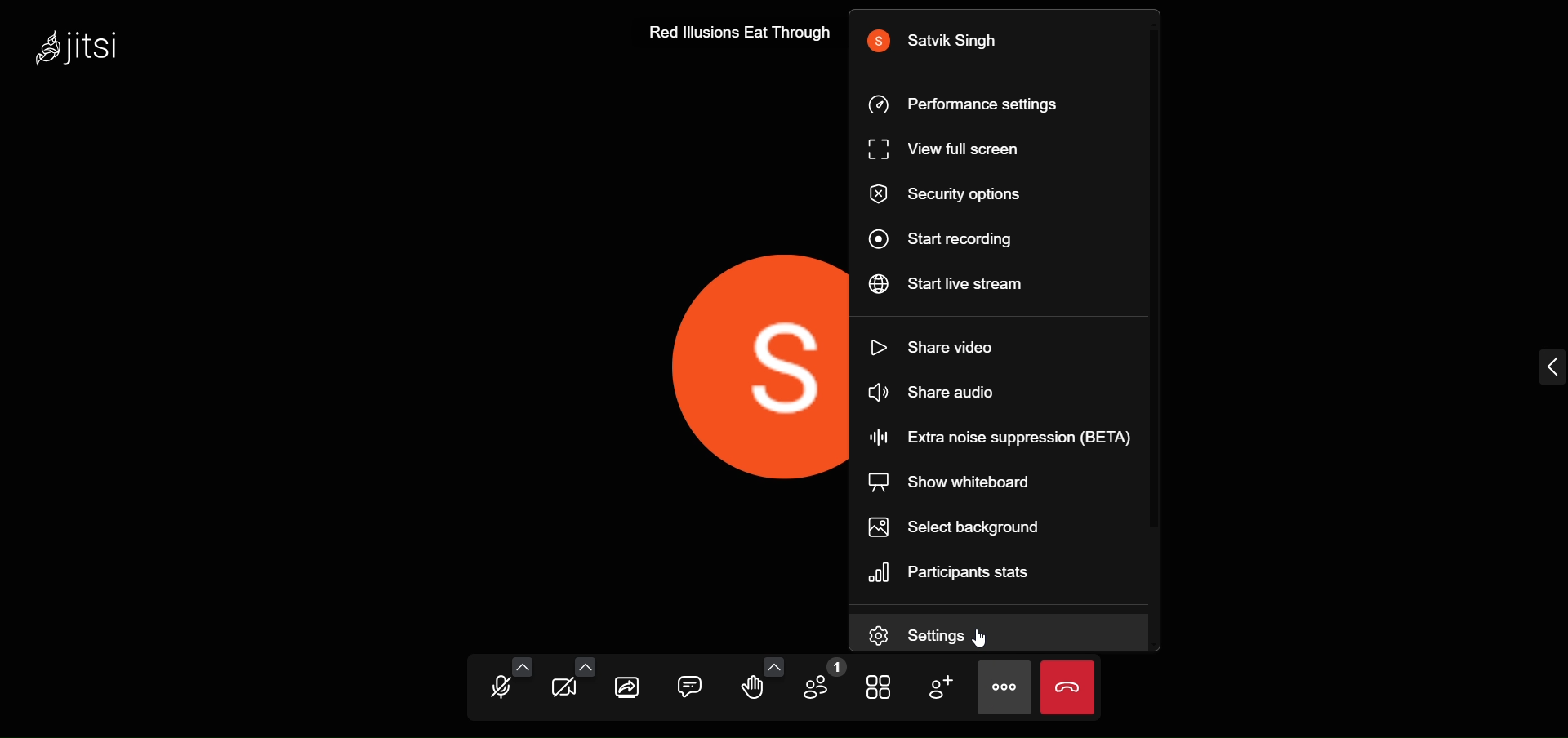 This screenshot has width=1568, height=738. Describe the element at coordinates (876, 687) in the screenshot. I see `tile view` at that location.